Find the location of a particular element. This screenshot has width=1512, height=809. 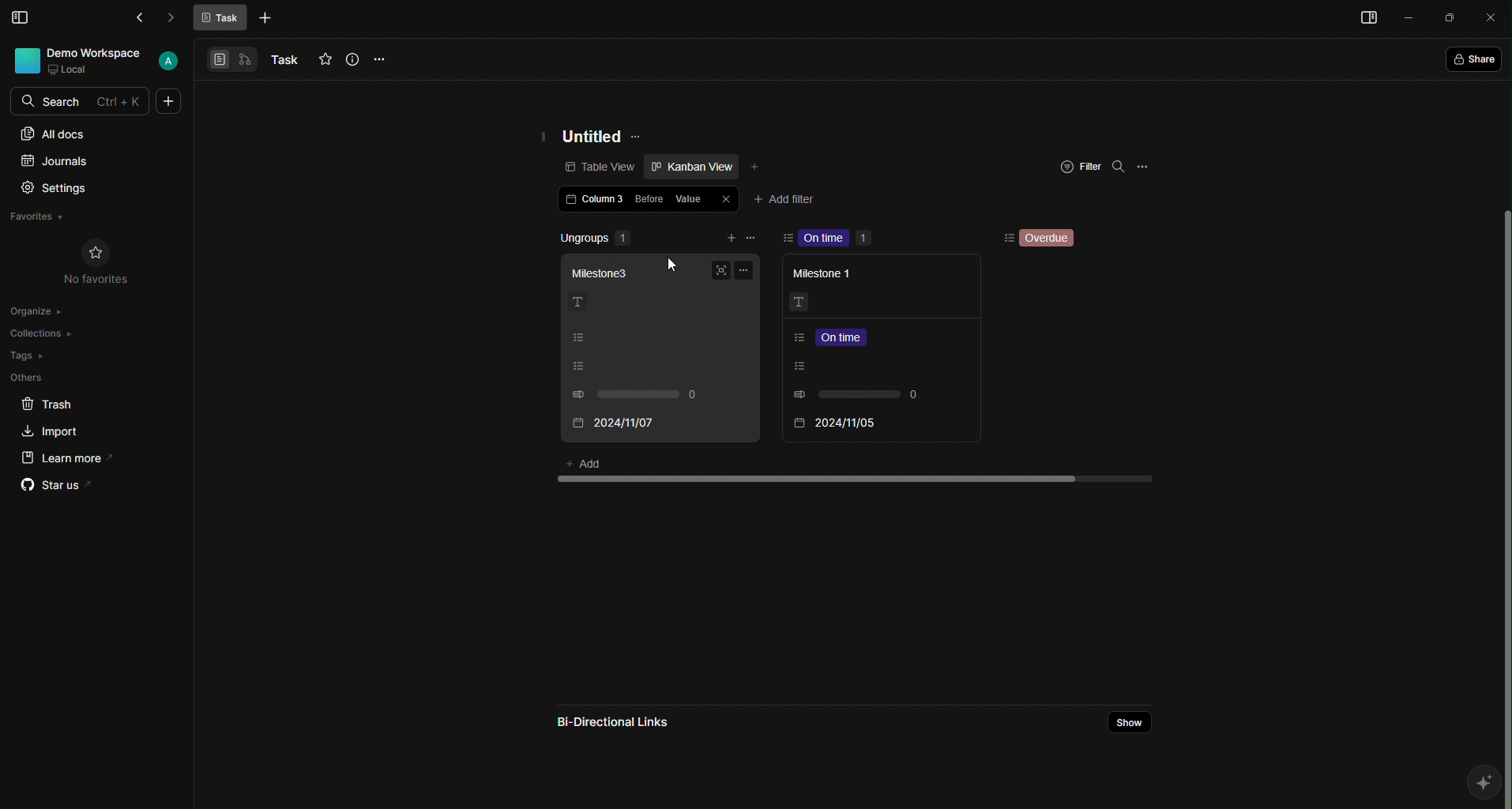

Box is located at coordinates (1450, 17).